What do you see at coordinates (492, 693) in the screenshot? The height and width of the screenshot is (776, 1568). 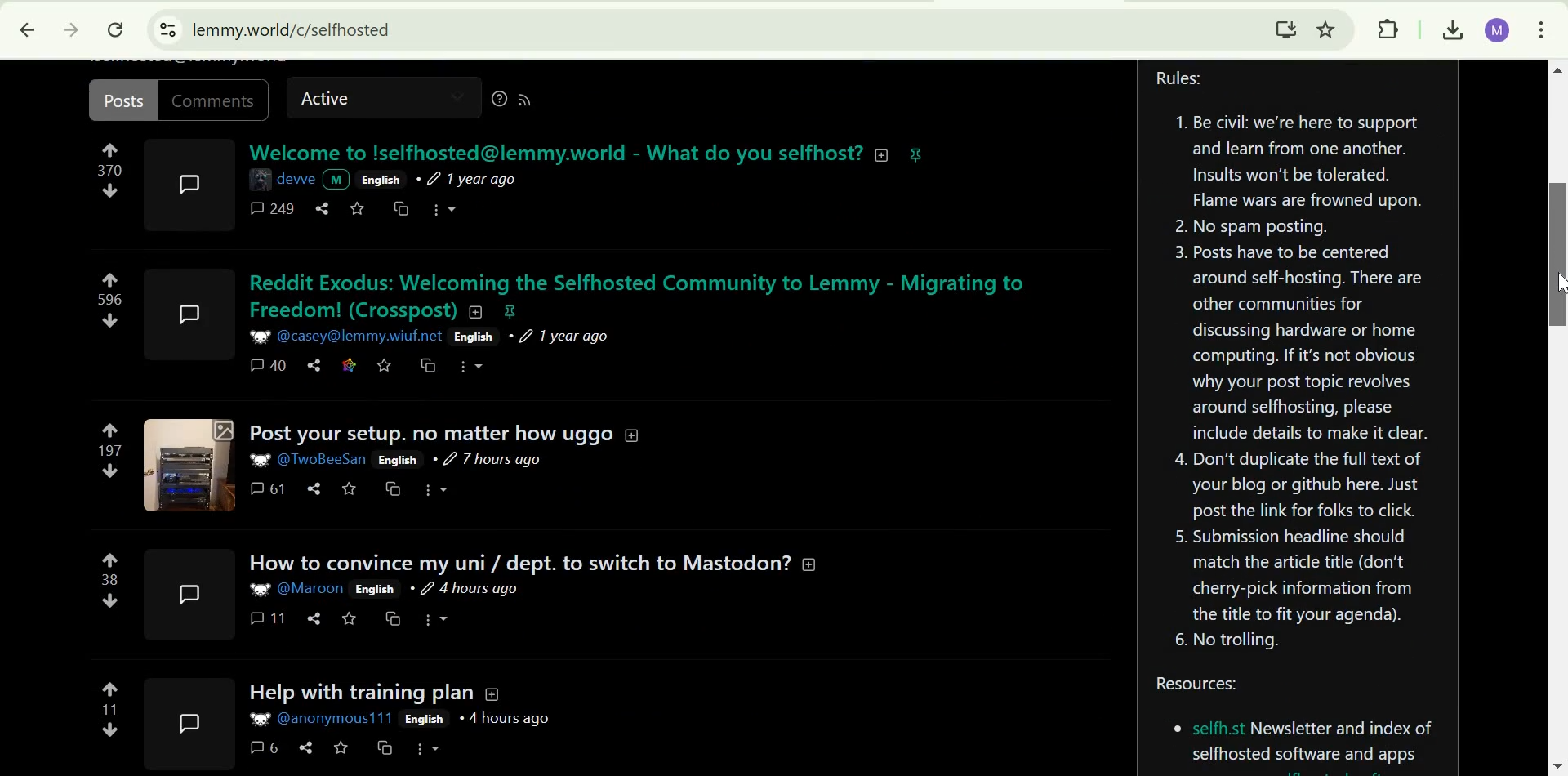 I see `Collapse` at bounding box center [492, 693].